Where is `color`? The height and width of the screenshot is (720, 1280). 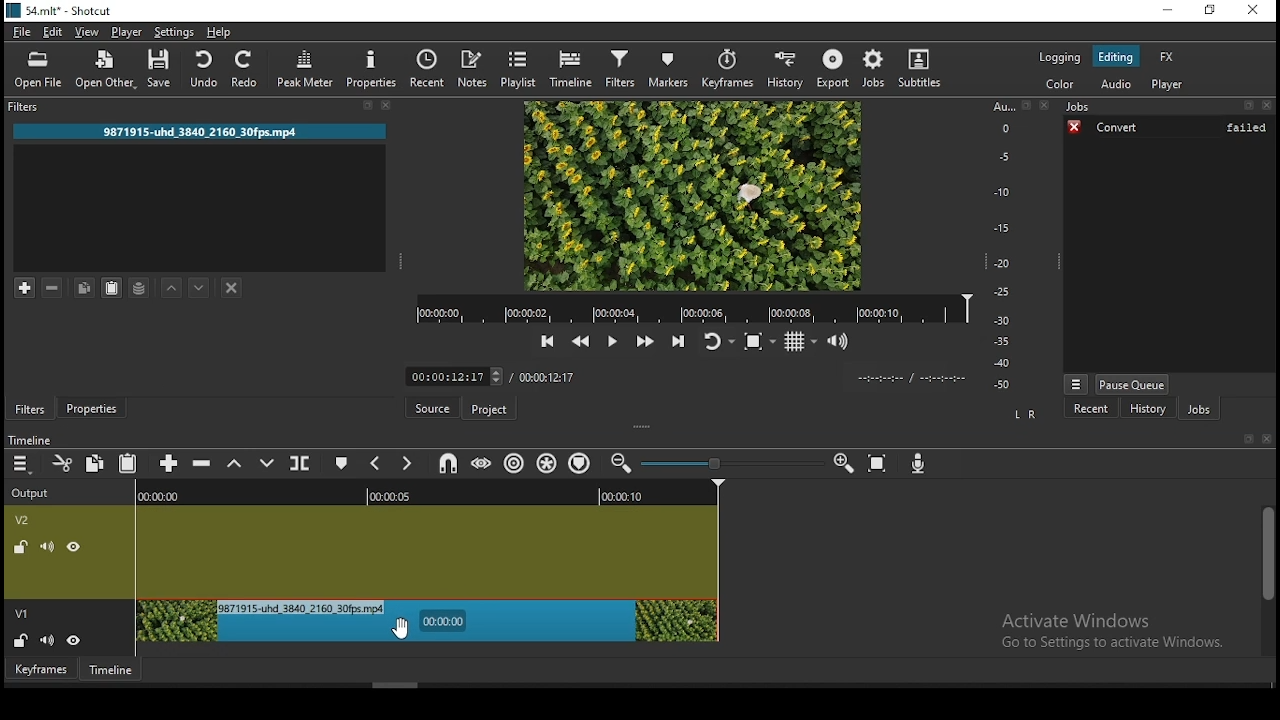 color is located at coordinates (1063, 86).